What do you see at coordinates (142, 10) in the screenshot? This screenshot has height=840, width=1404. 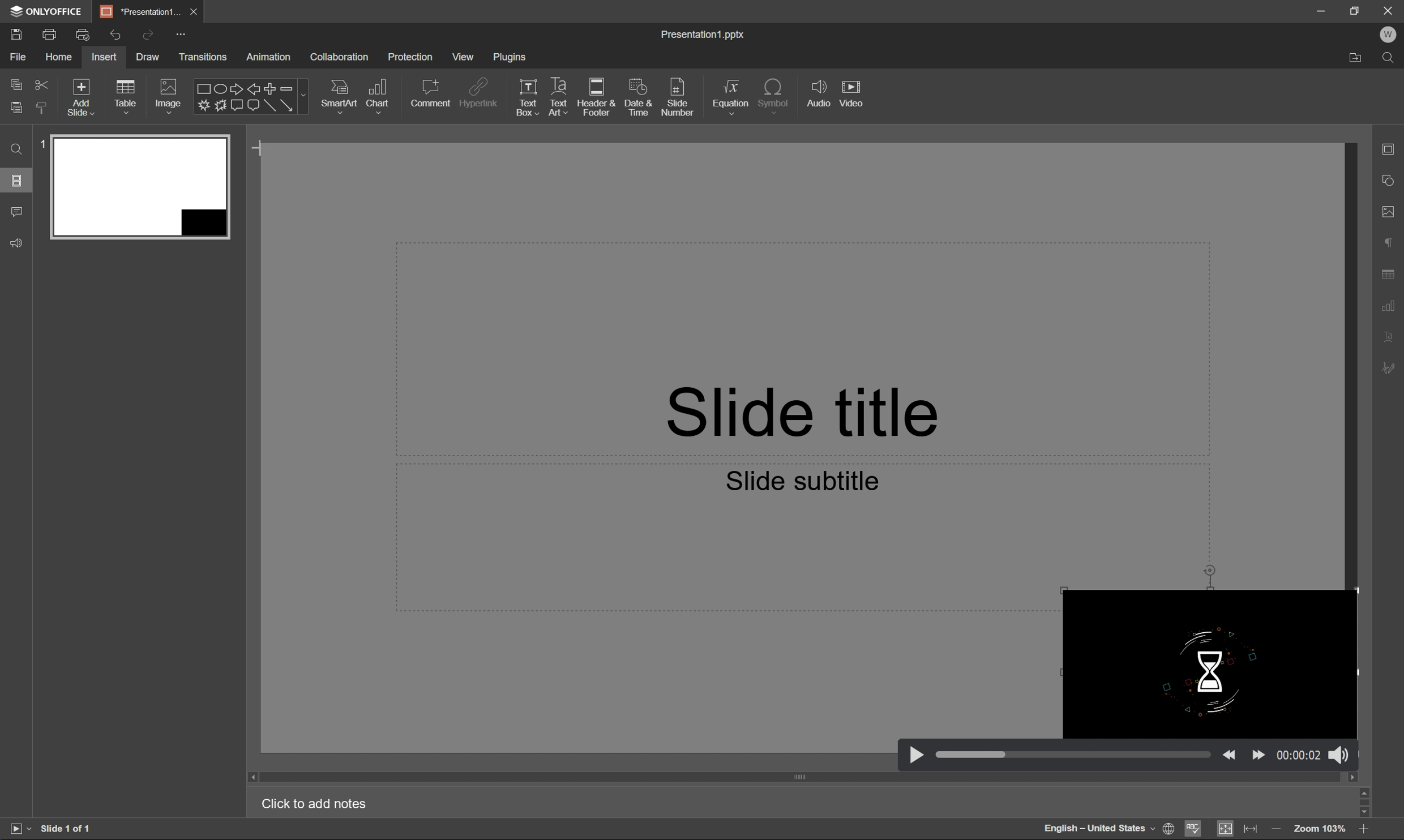 I see `*Percentage` at bounding box center [142, 10].